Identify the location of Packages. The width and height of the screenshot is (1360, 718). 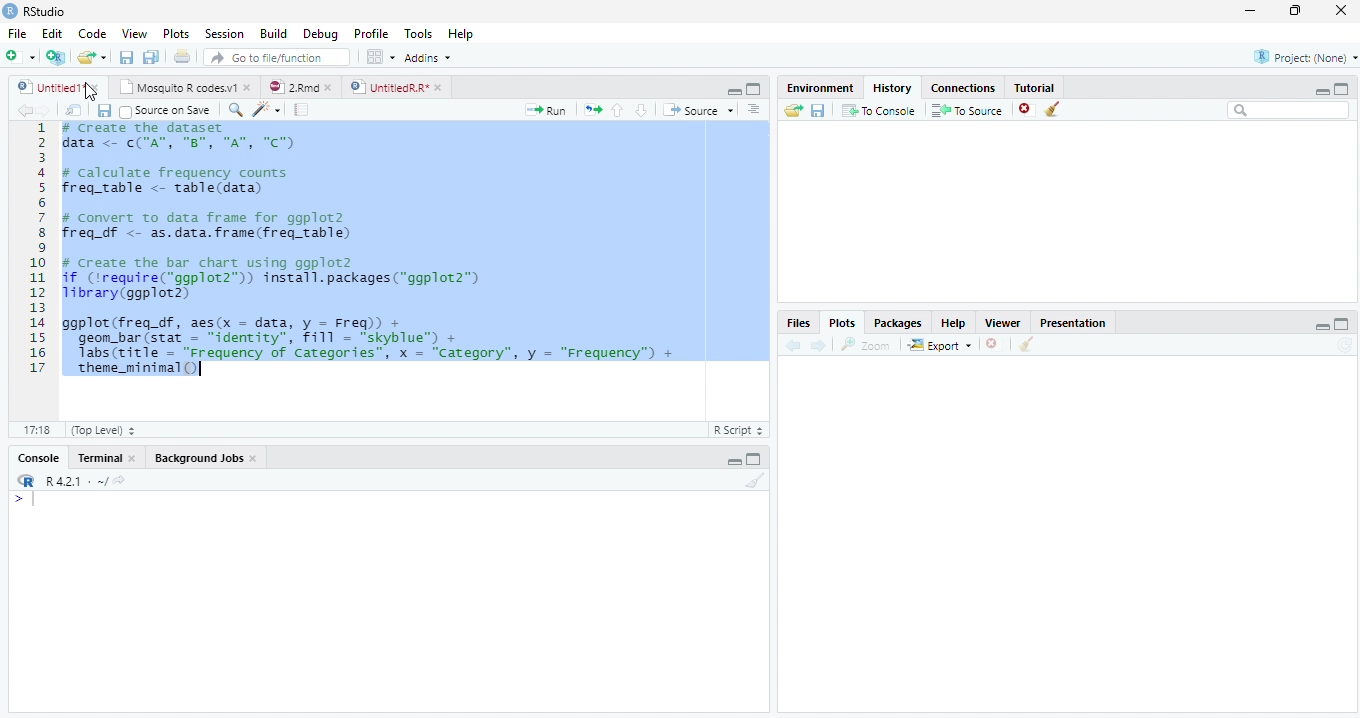
(900, 322).